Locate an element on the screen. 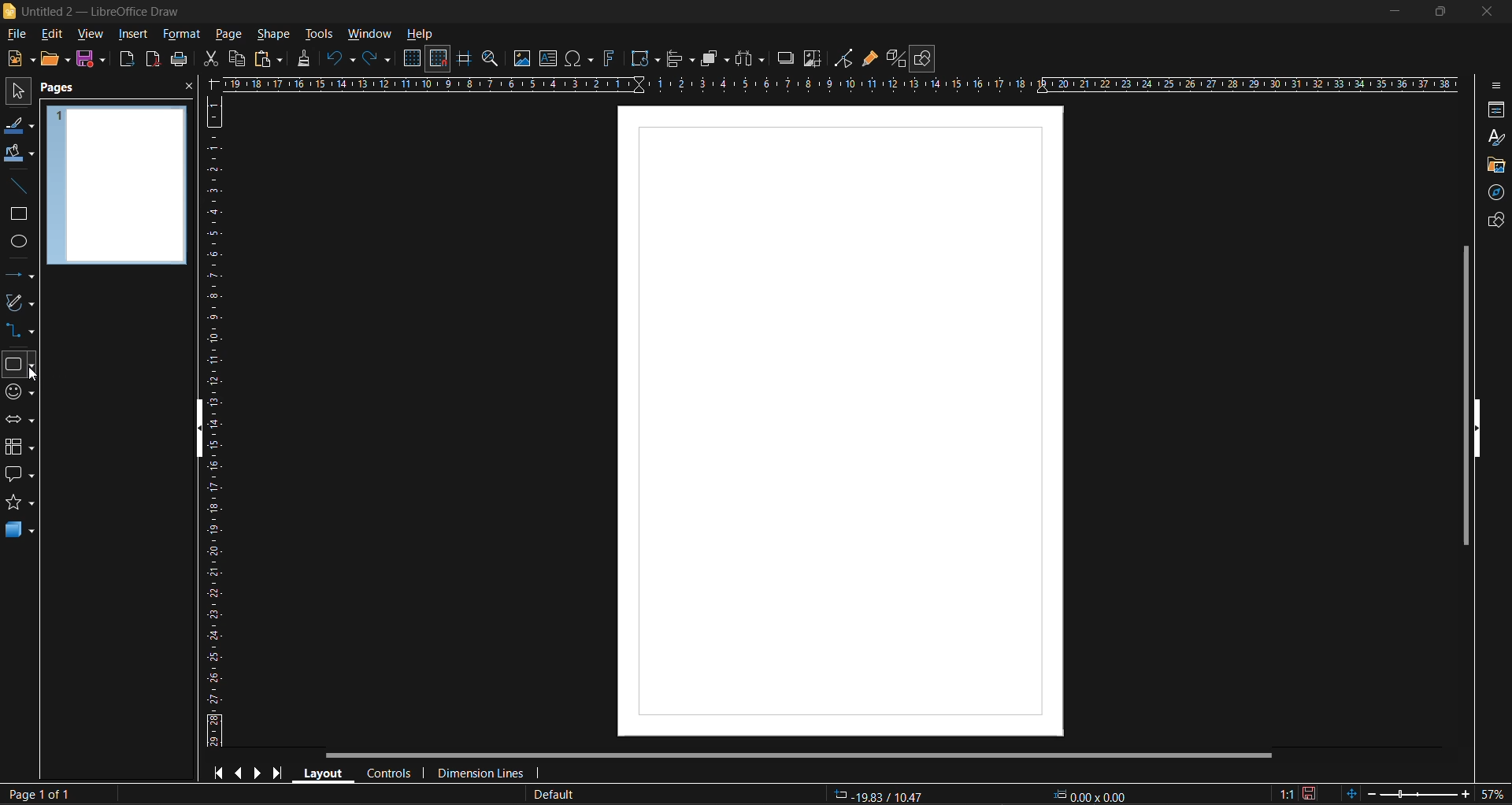 Image resolution: width=1512 pixels, height=805 pixels. vertical scroll bar is located at coordinates (1462, 395).